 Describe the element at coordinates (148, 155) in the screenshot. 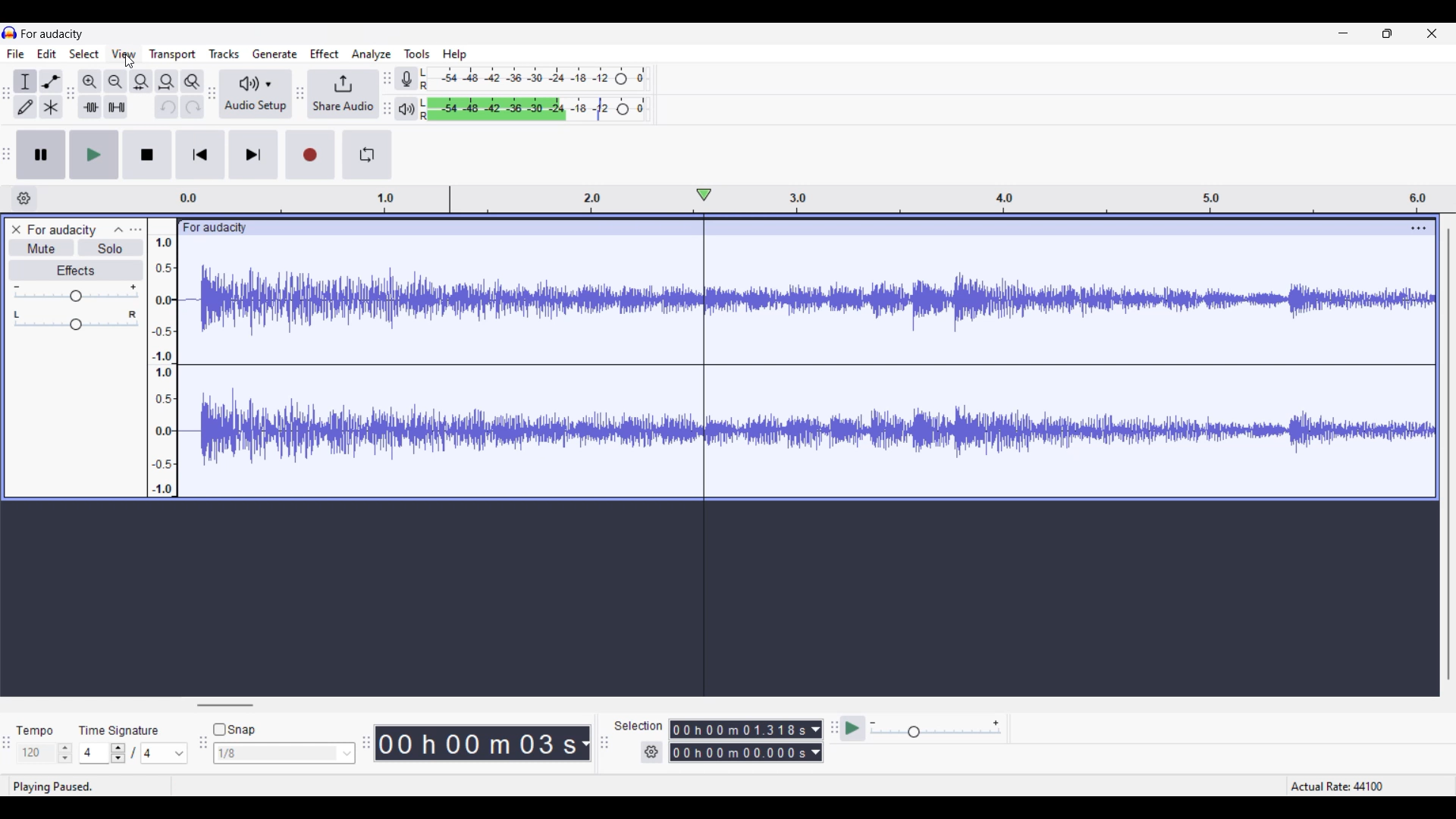

I see `Stop` at that location.